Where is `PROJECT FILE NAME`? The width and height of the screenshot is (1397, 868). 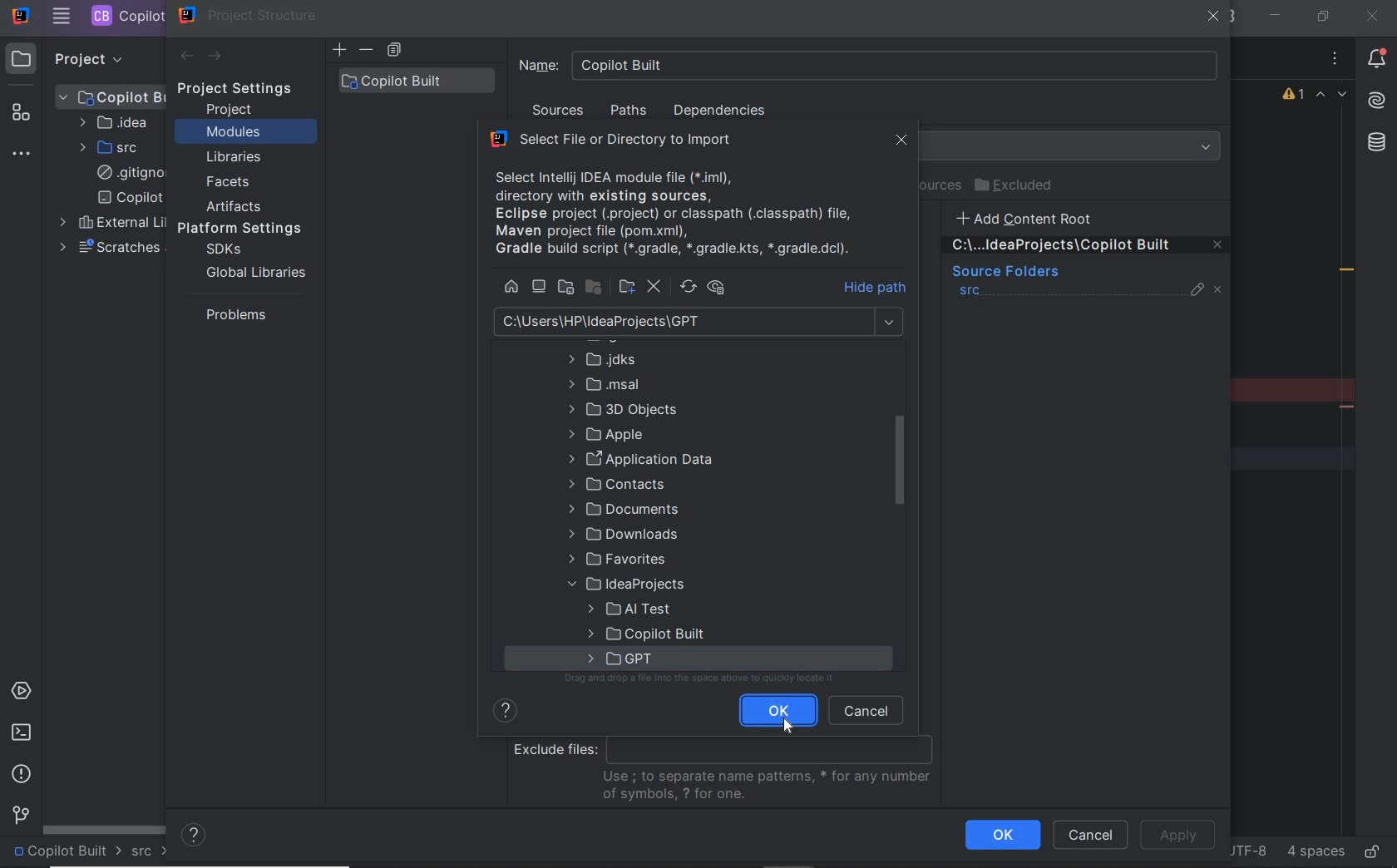 PROJECT FILE NAME is located at coordinates (126, 16).